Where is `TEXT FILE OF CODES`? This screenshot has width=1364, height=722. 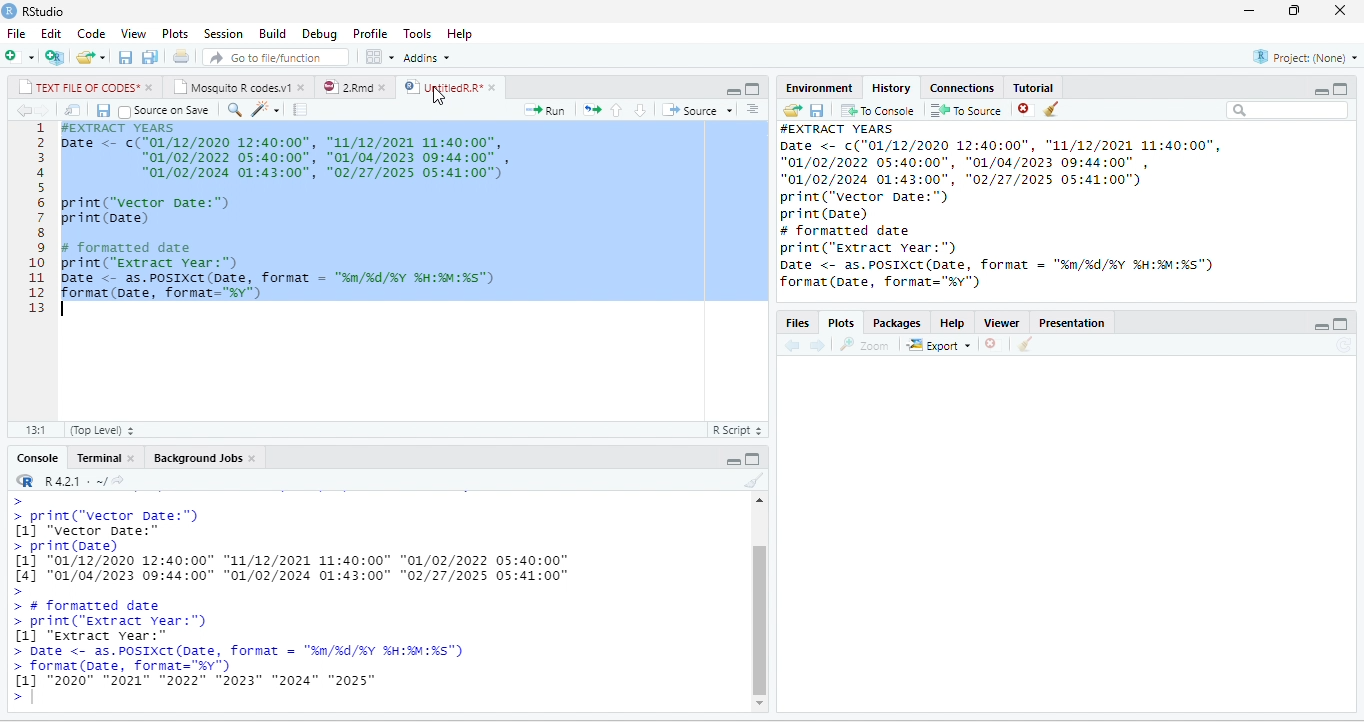
TEXT FILE OF CODES is located at coordinates (78, 87).